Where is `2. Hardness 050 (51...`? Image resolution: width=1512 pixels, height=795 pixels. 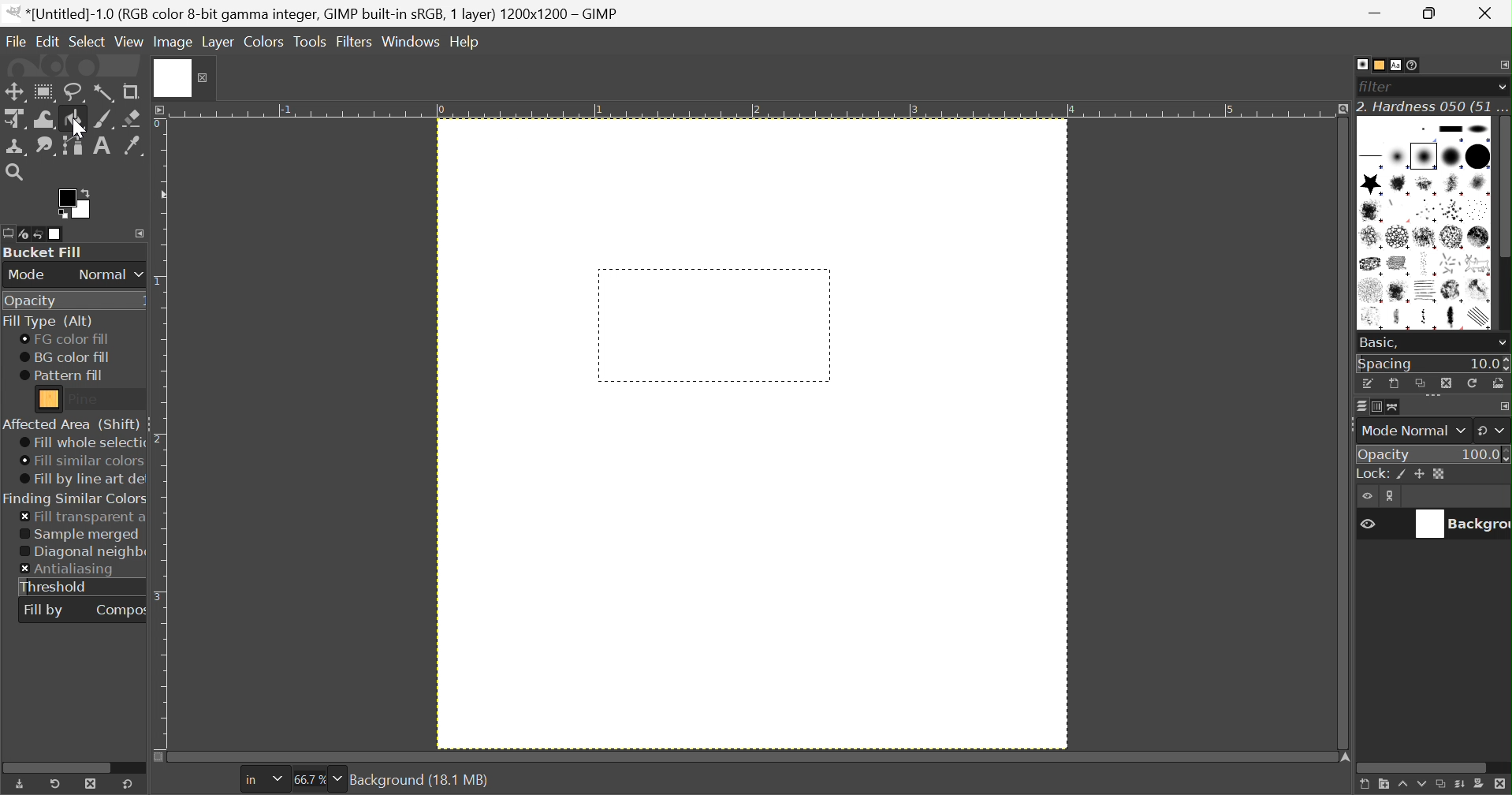 2. Hardness 050 (51... is located at coordinates (1432, 106).